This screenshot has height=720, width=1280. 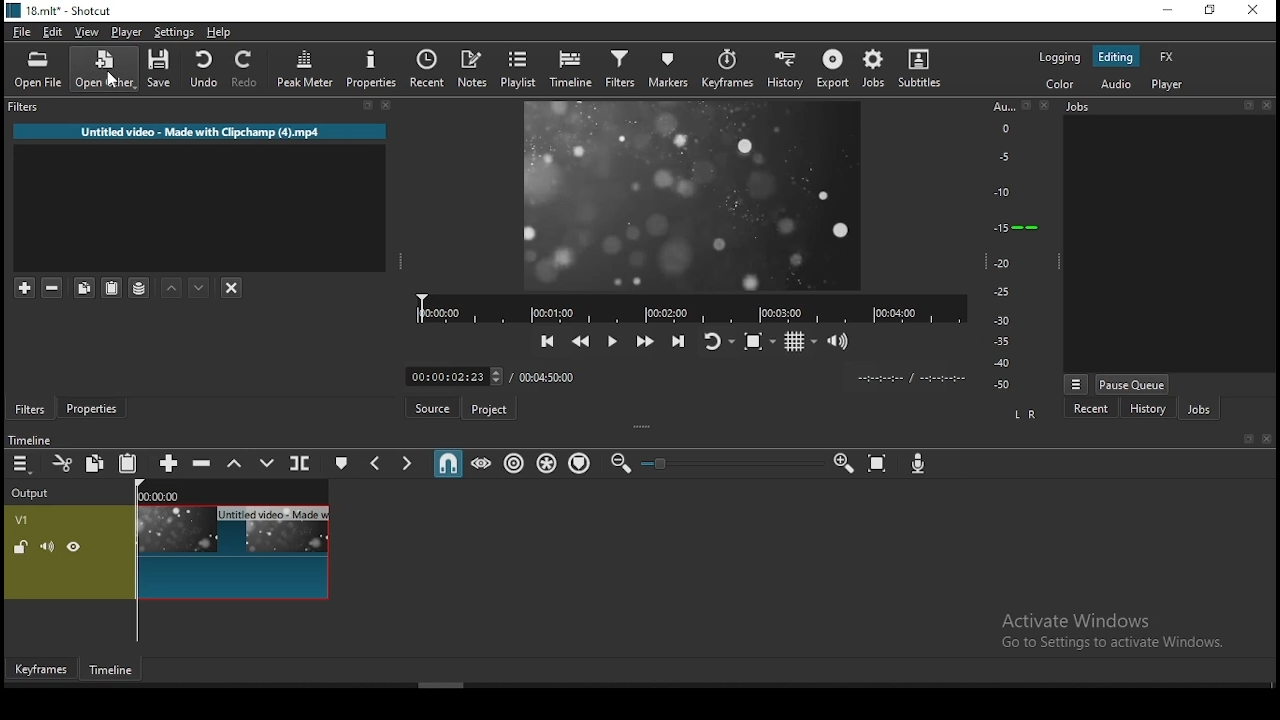 I want to click on paste, so click(x=127, y=463).